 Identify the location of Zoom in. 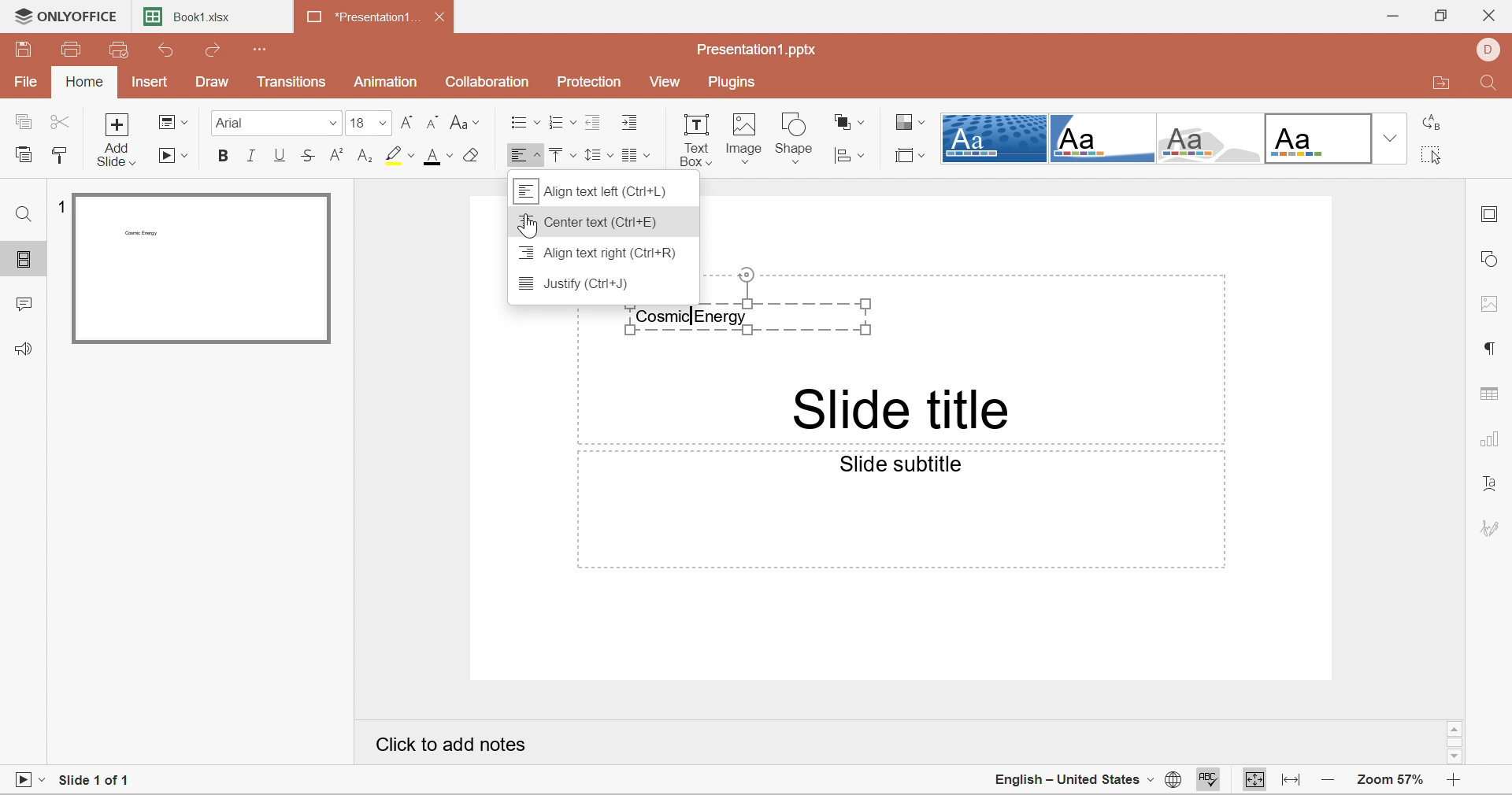
(1455, 779).